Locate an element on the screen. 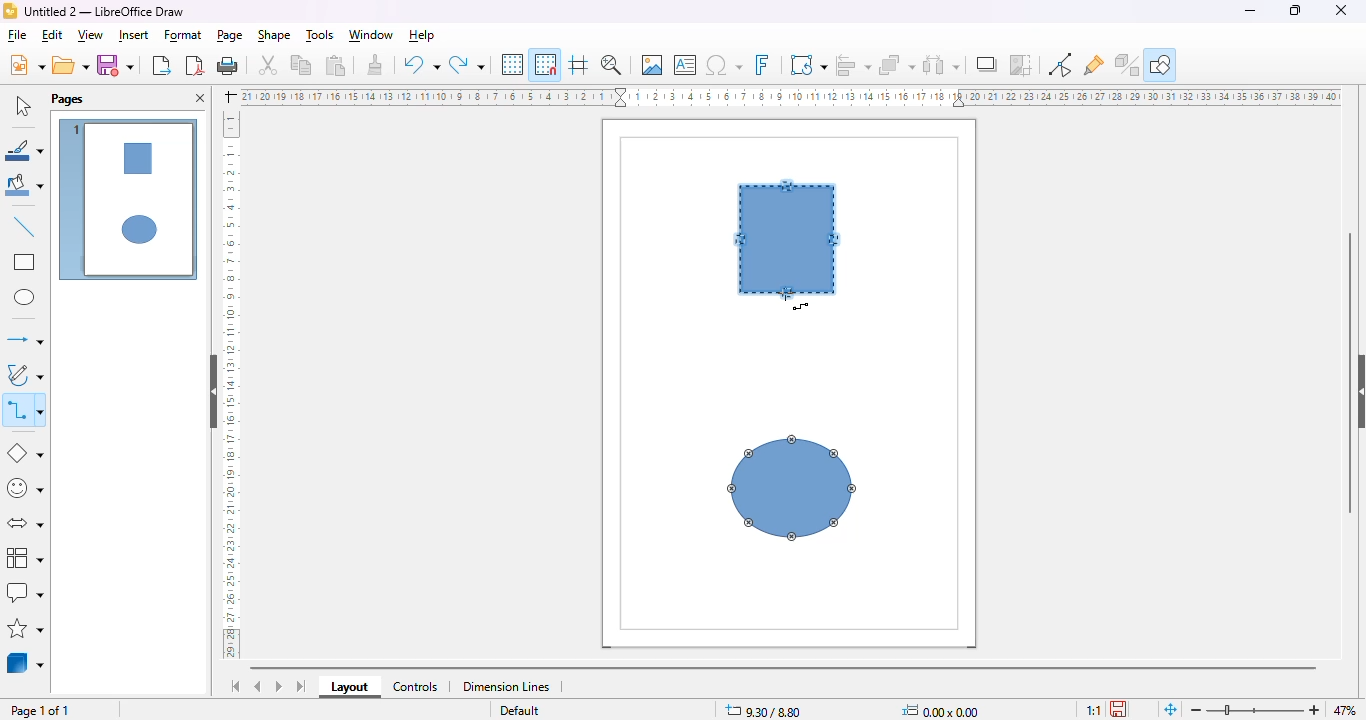 This screenshot has width=1366, height=720. select is located at coordinates (23, 104).